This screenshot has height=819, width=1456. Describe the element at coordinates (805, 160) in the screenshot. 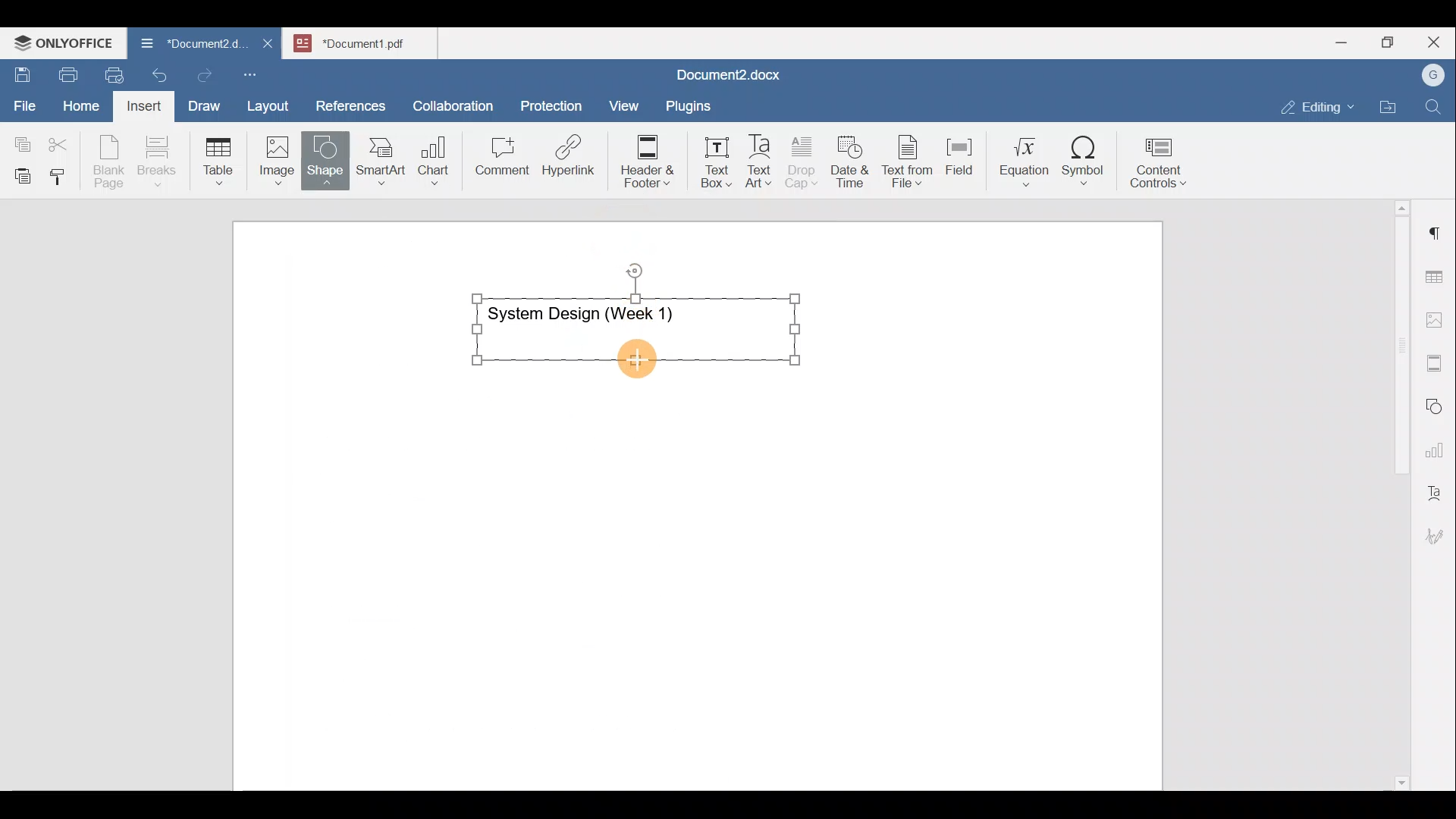

I see `Drop cap` at that location.